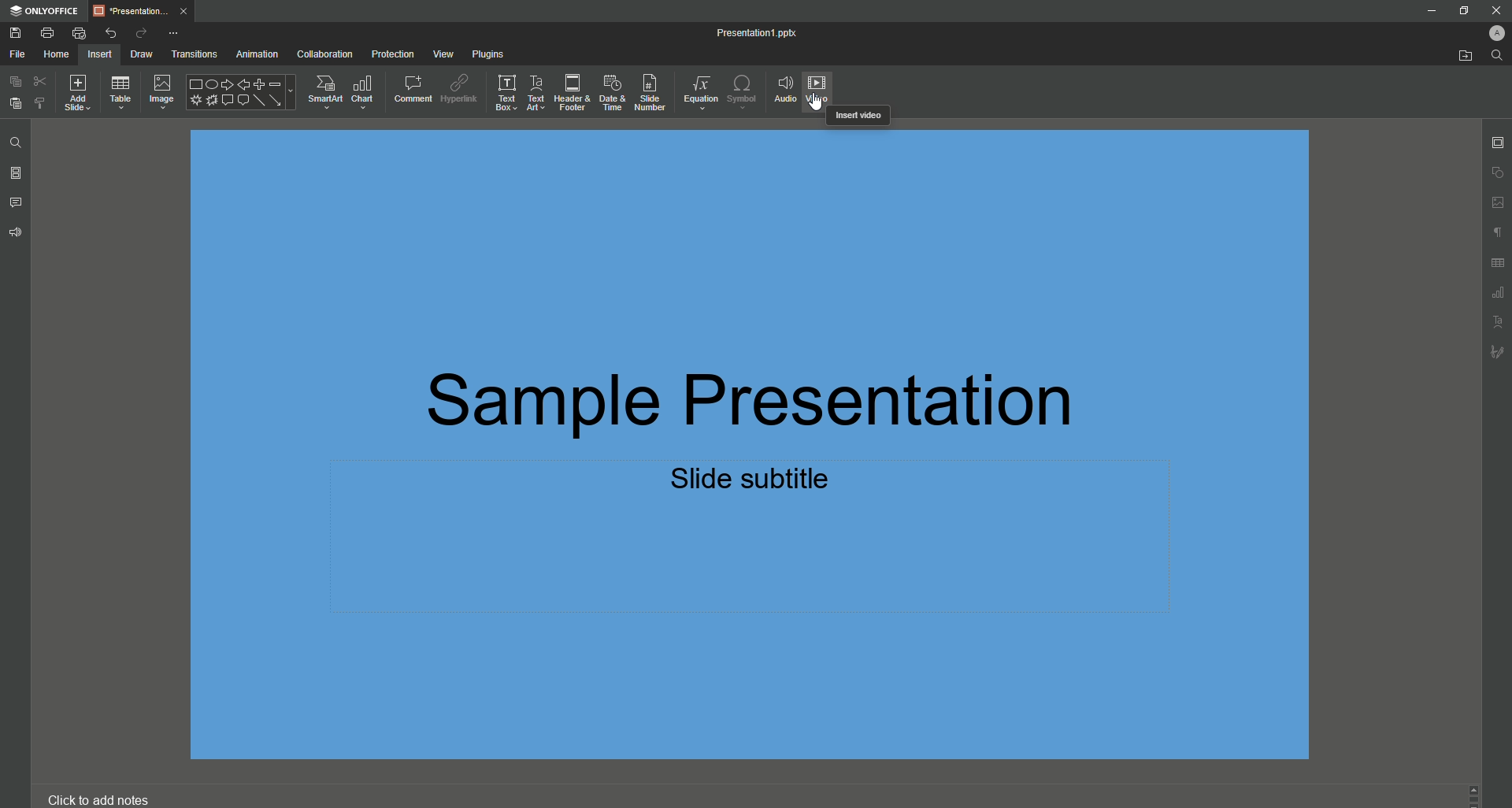  What do you see at coordinates (391, 53) in the screenshot?
I see `Protection` at bounding box center [391, 53].